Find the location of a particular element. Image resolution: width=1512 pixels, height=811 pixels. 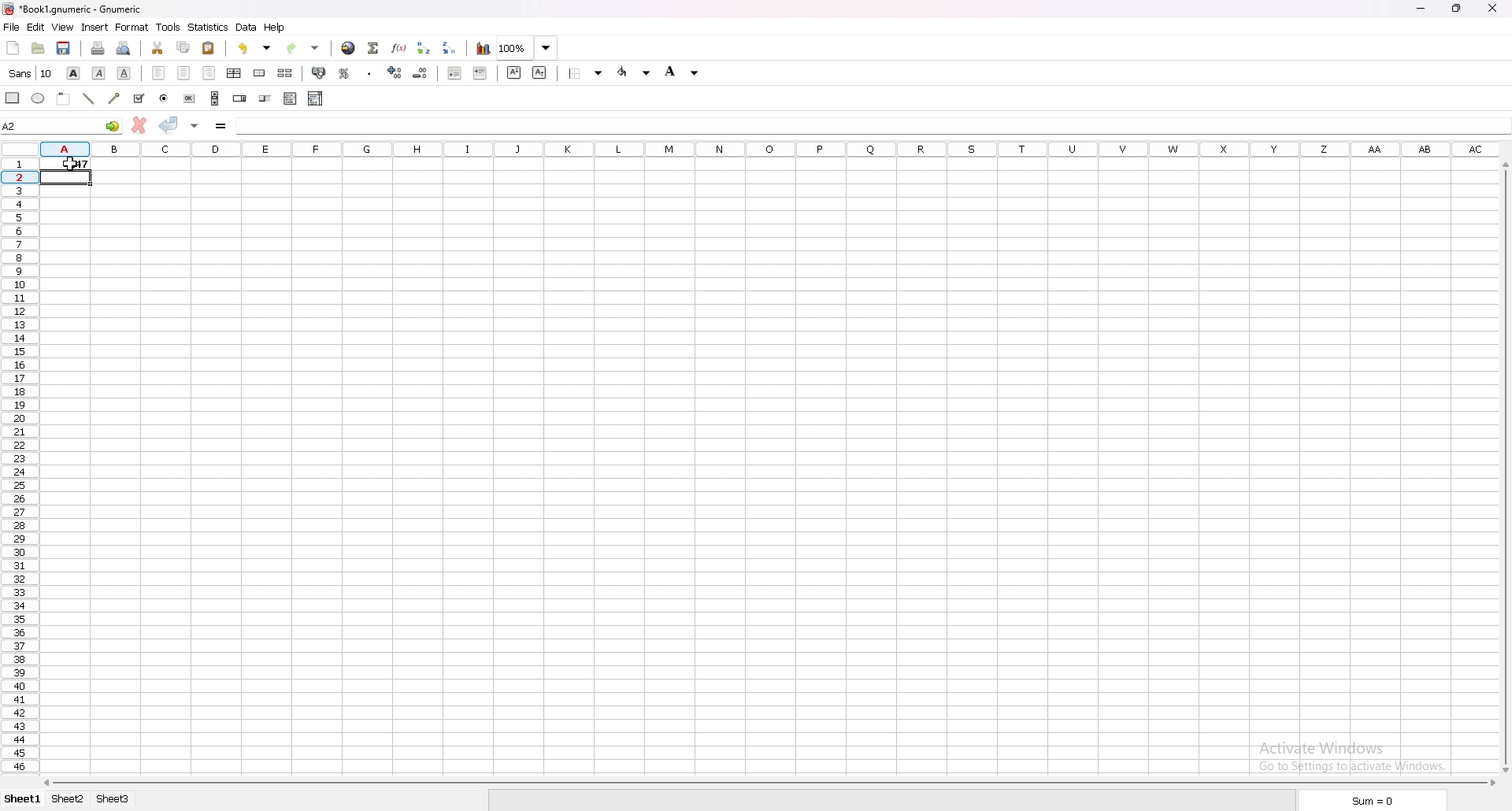

button is located at coordinates (188, 98).